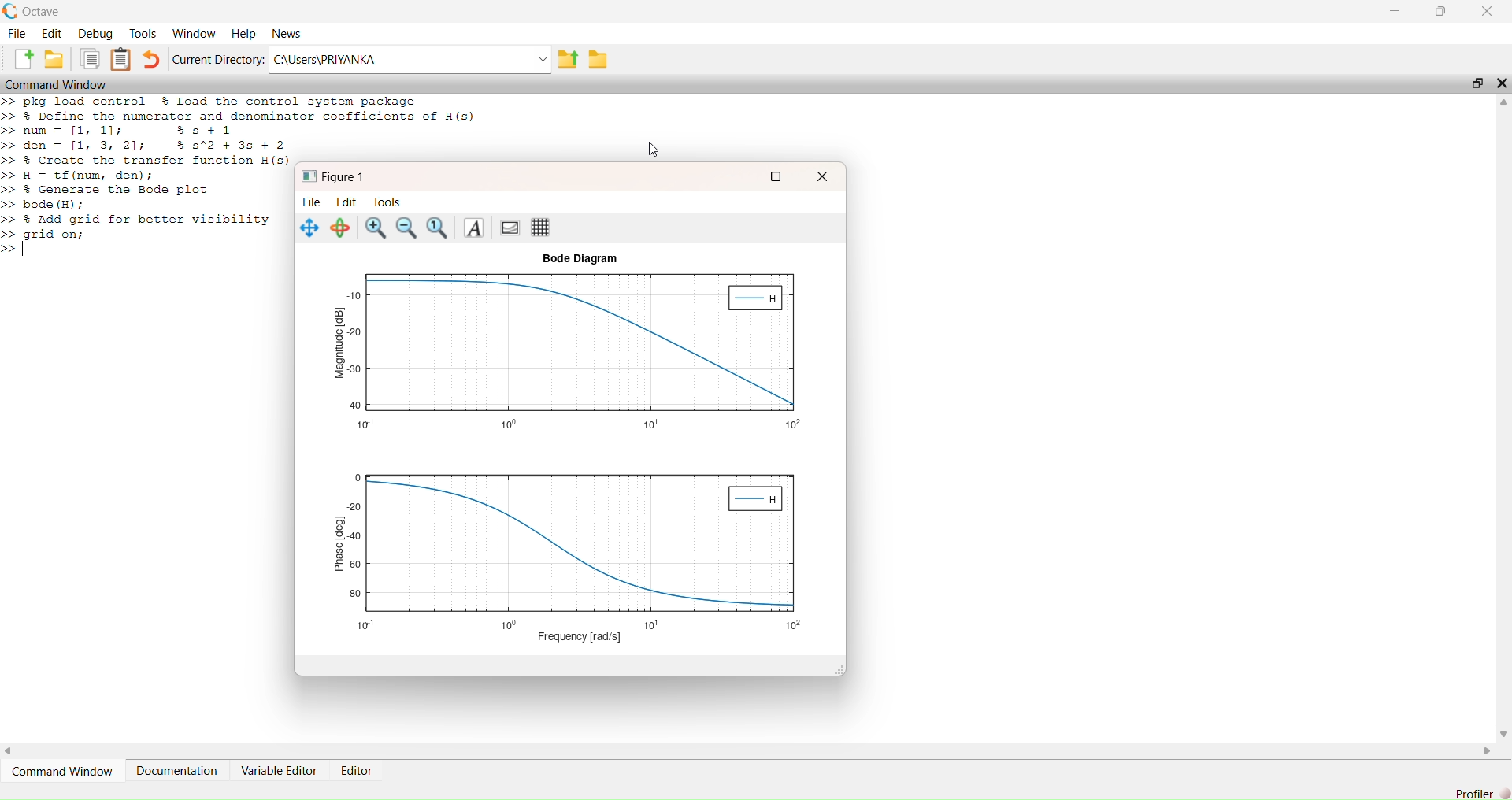 This screenshot has height=800, width=1512. Describe the element at coordinates (579, 549) in the screenshot. I see `graph` at that location.